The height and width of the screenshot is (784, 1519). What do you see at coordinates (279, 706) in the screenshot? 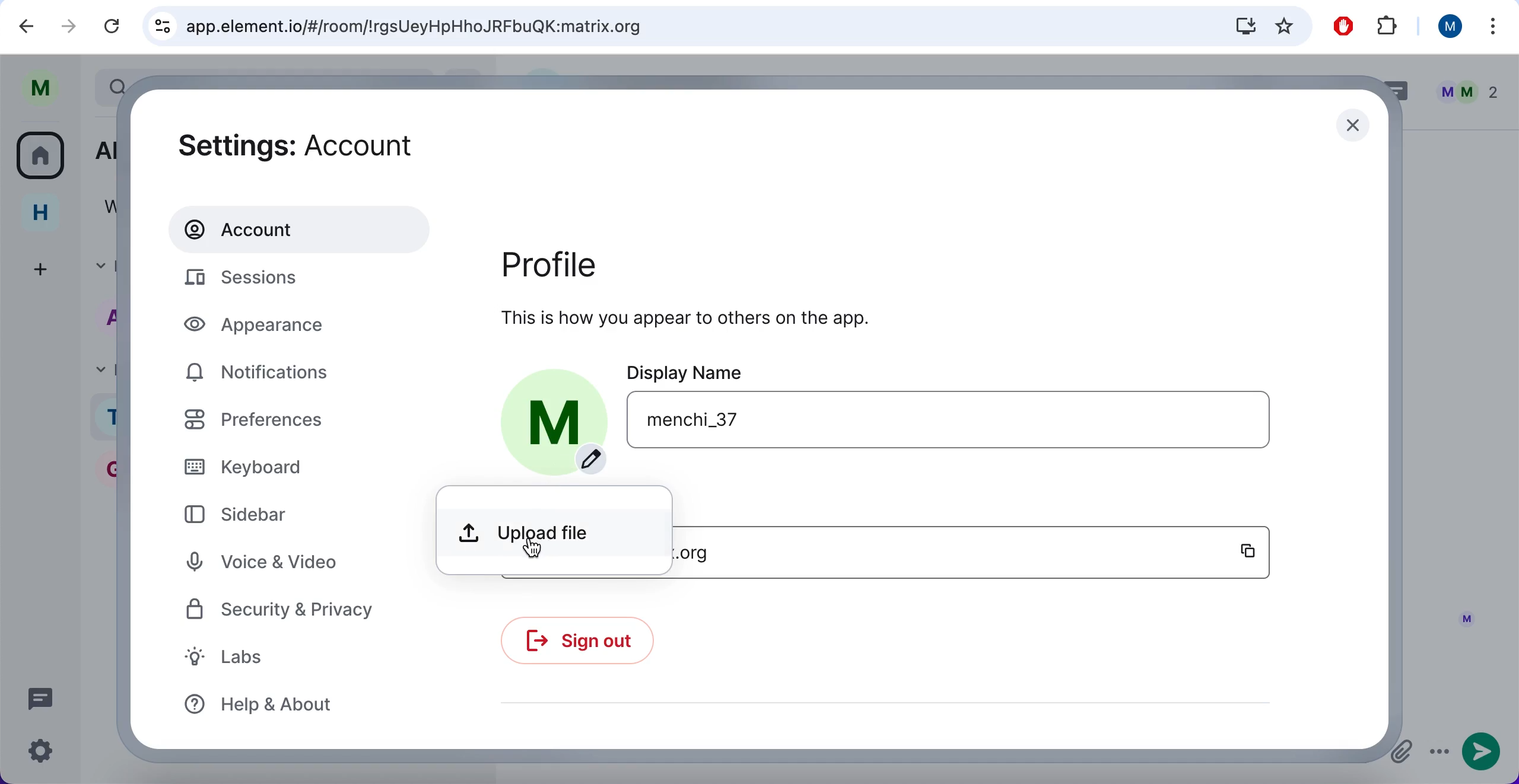
I see `help and about` at bounding box center [279, 706].